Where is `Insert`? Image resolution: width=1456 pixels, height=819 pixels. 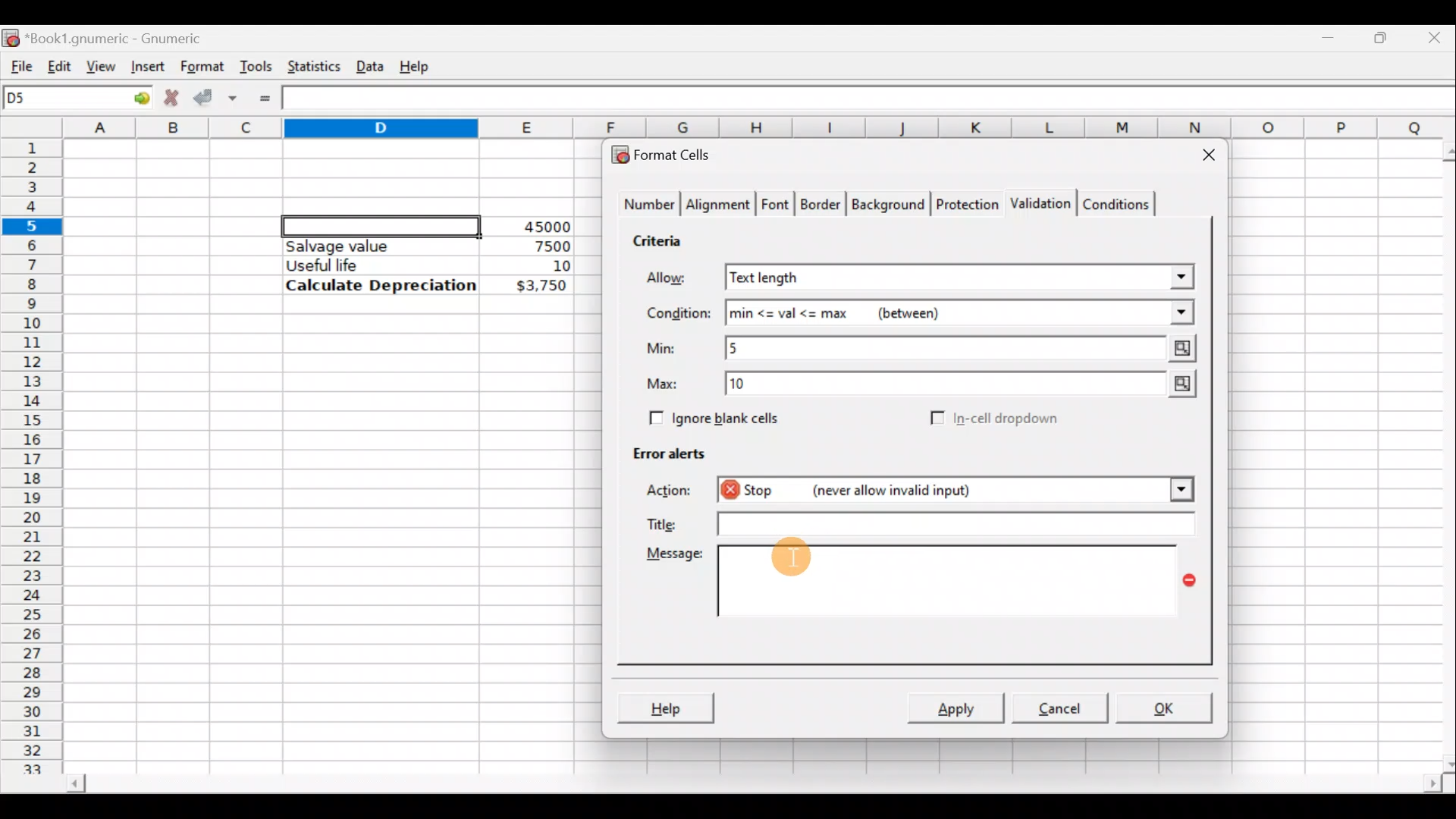 Insert is located at coordinates (146, 66).